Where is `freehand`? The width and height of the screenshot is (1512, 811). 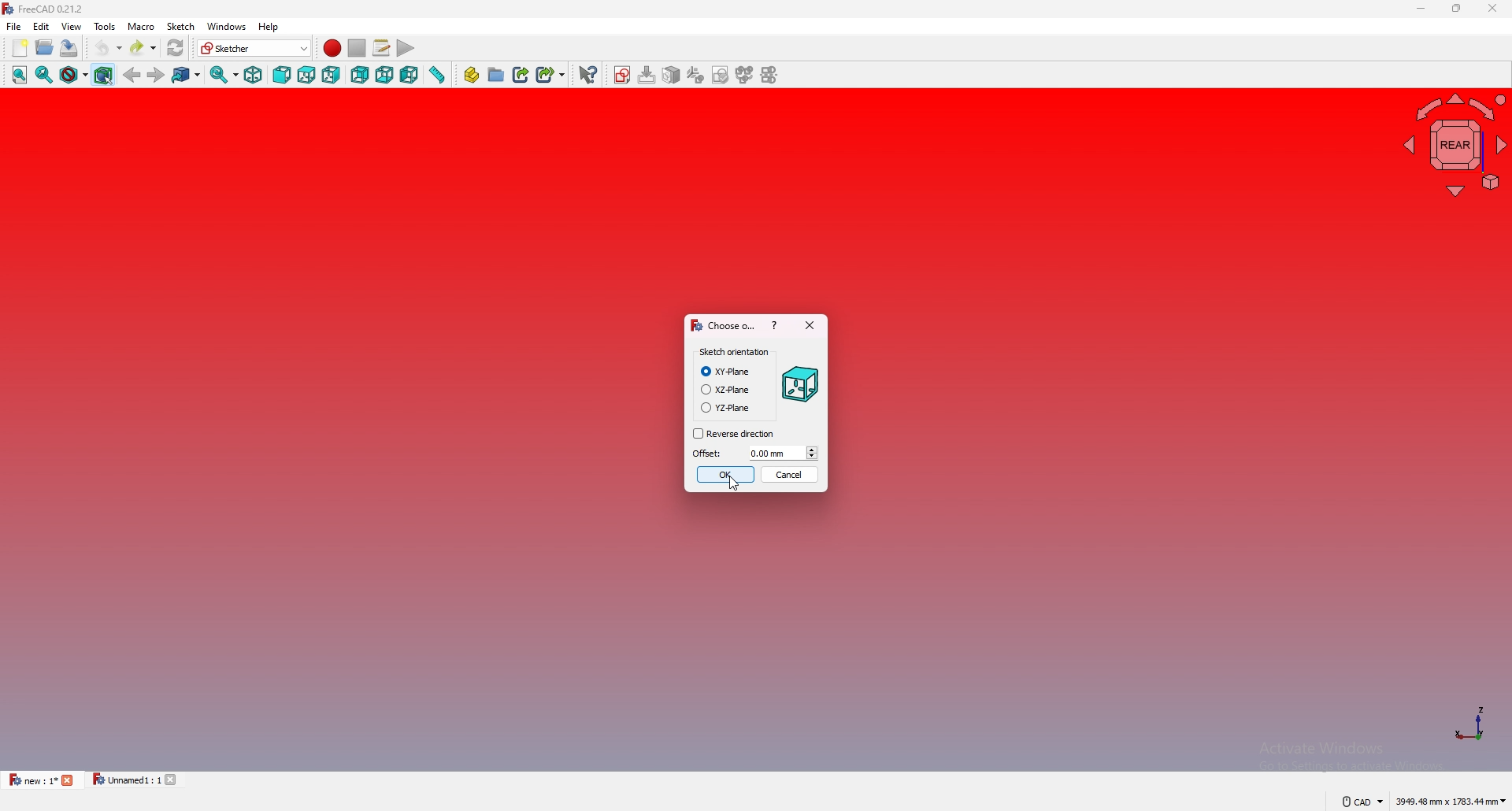
freehand is located at coordinates (770, 75).